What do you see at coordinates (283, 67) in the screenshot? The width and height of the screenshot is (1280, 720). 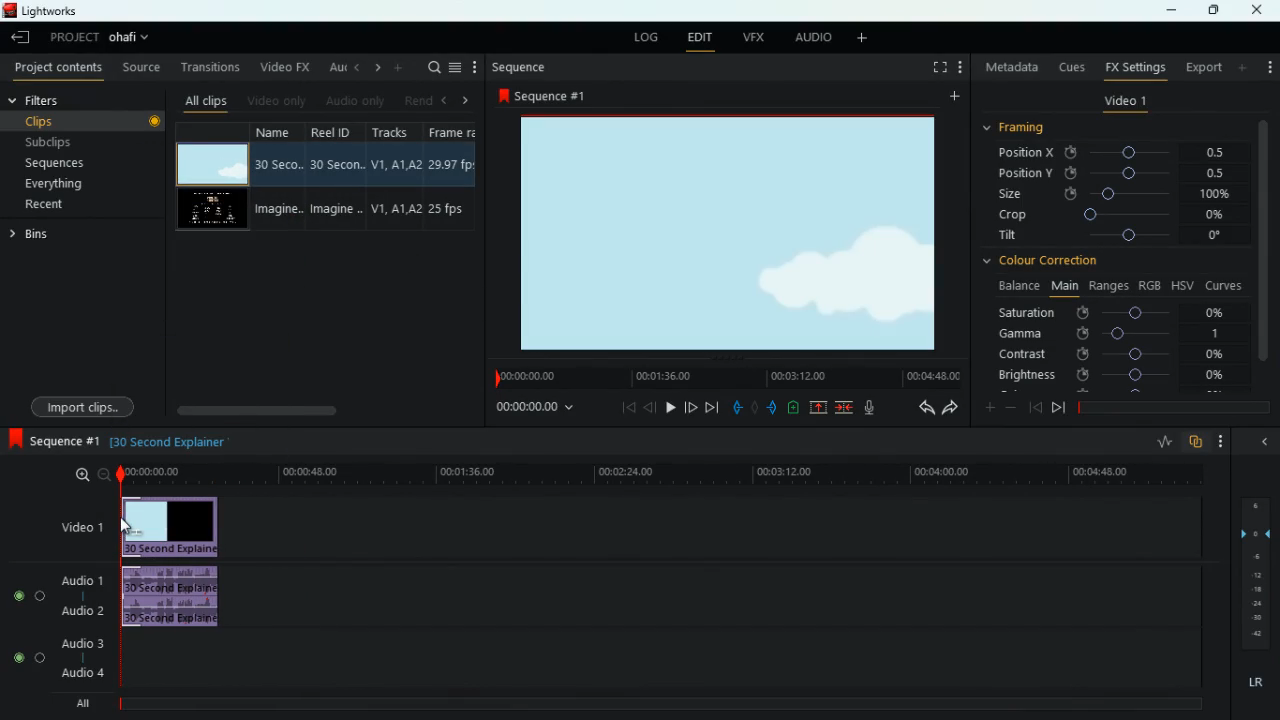 I see `video fx` at bounding box center [283, 67].